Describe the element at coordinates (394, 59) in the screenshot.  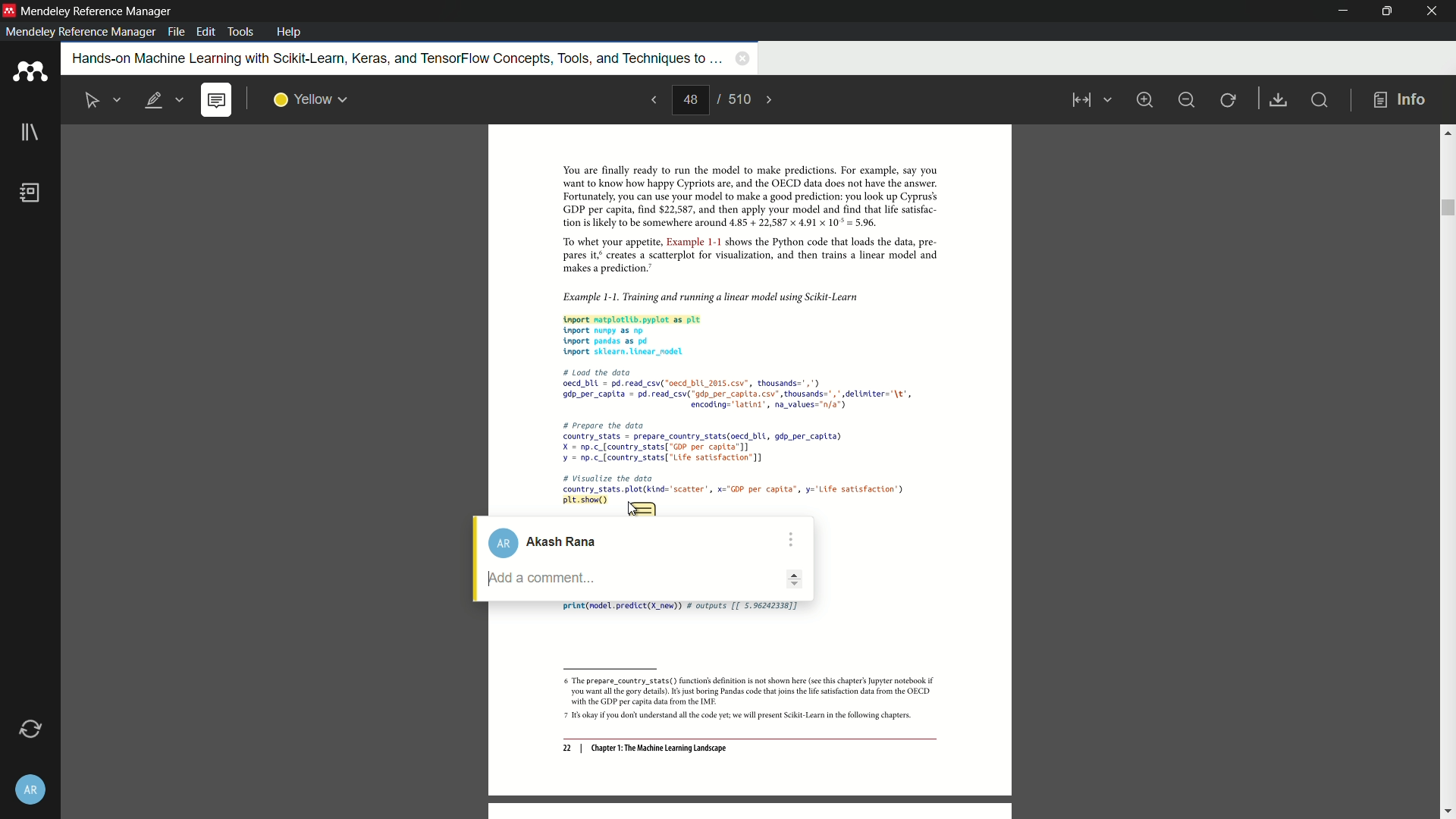
I see `book name` at that location.